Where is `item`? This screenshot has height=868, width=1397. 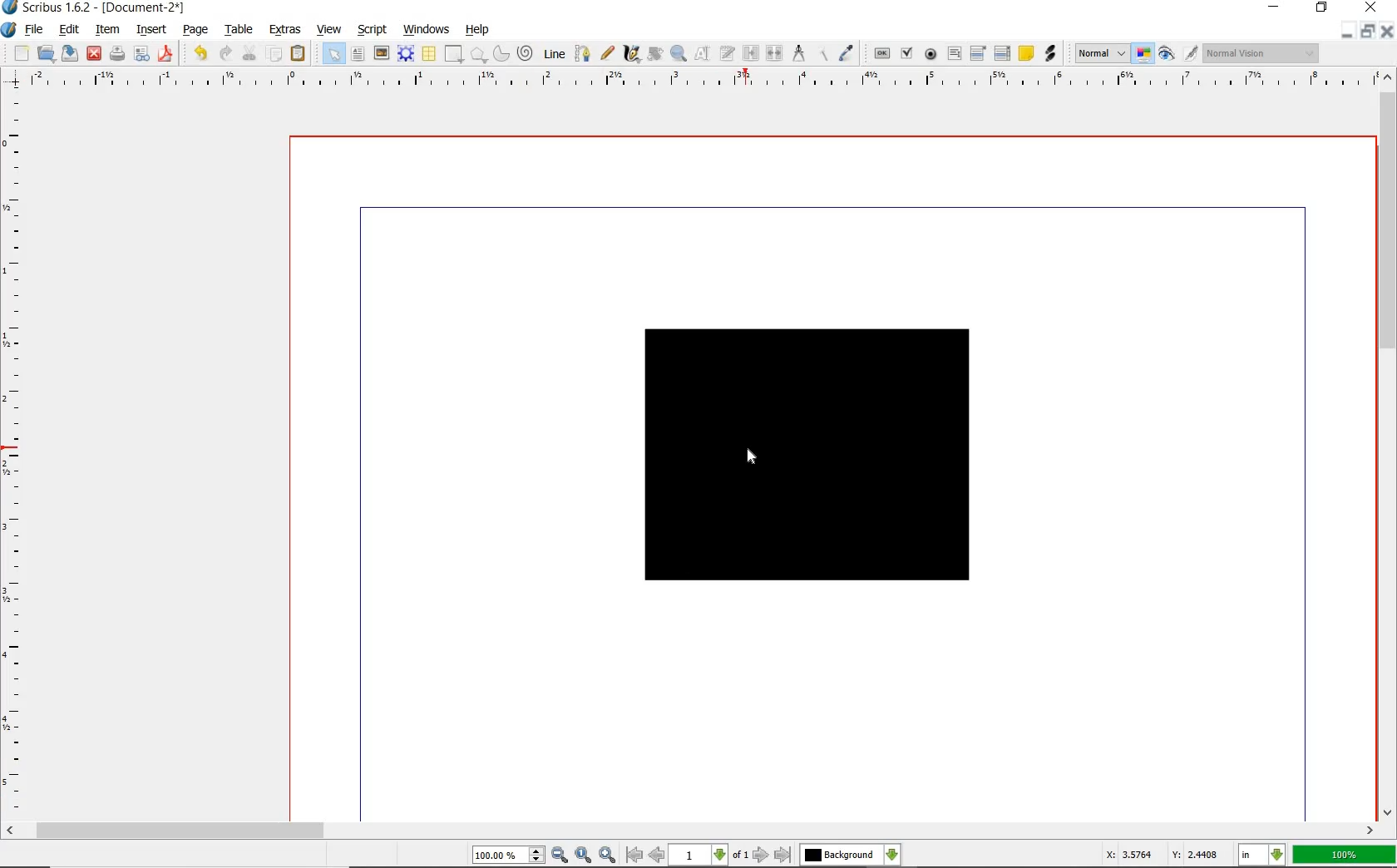 item is located at coordinates (109, 29).